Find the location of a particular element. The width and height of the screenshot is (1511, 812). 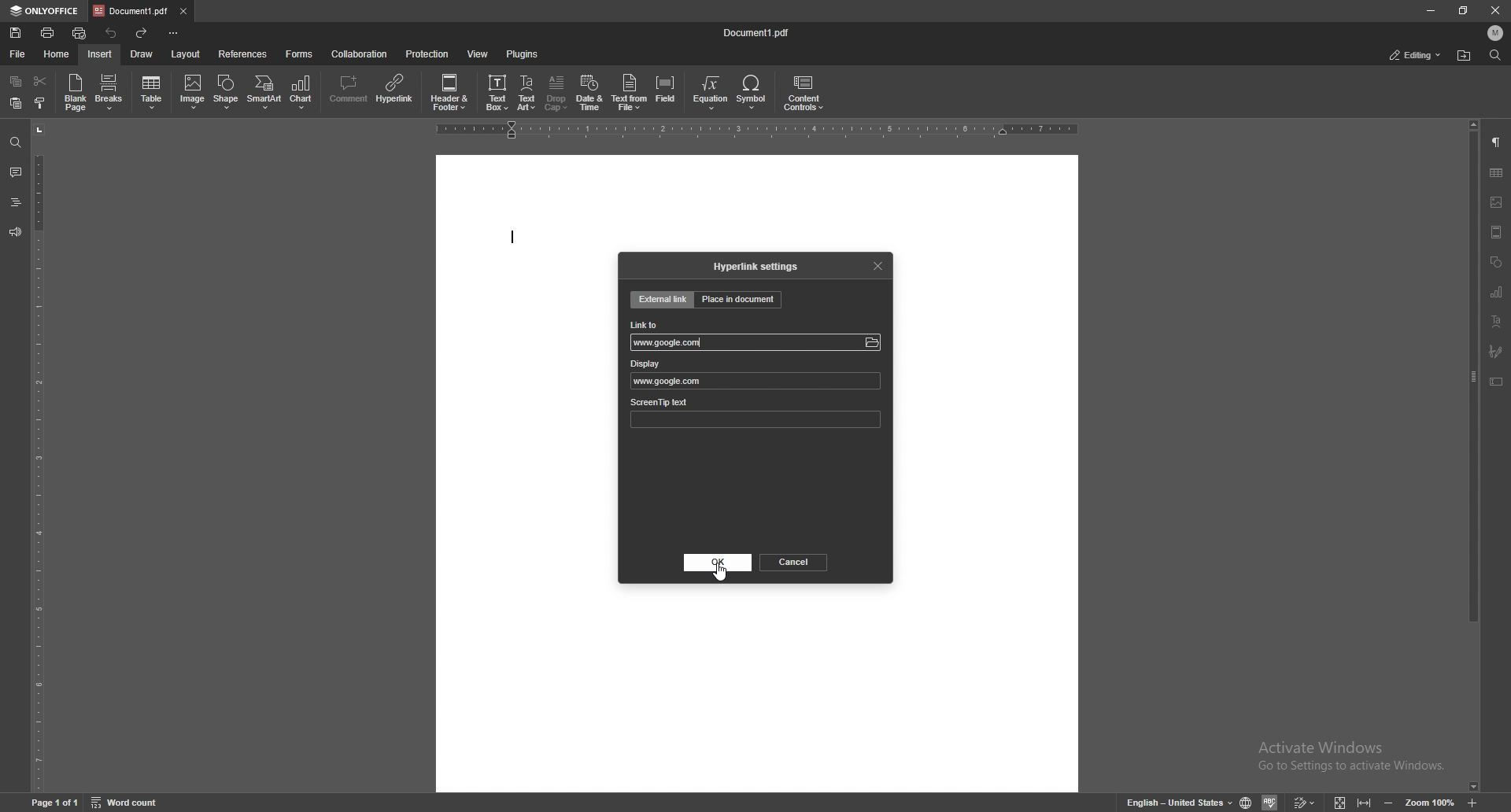

paste is located at coordinates (17, 102).